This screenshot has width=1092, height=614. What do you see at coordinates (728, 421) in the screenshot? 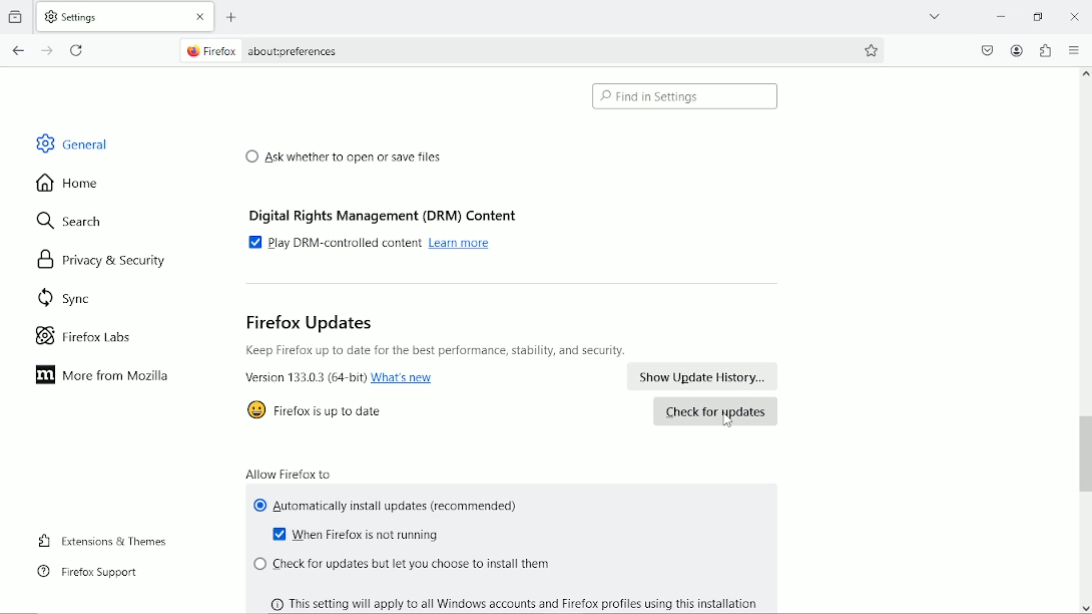
I see `Cursor Position AFTER_LAST_ACTION` at bounding box center [728, 421].